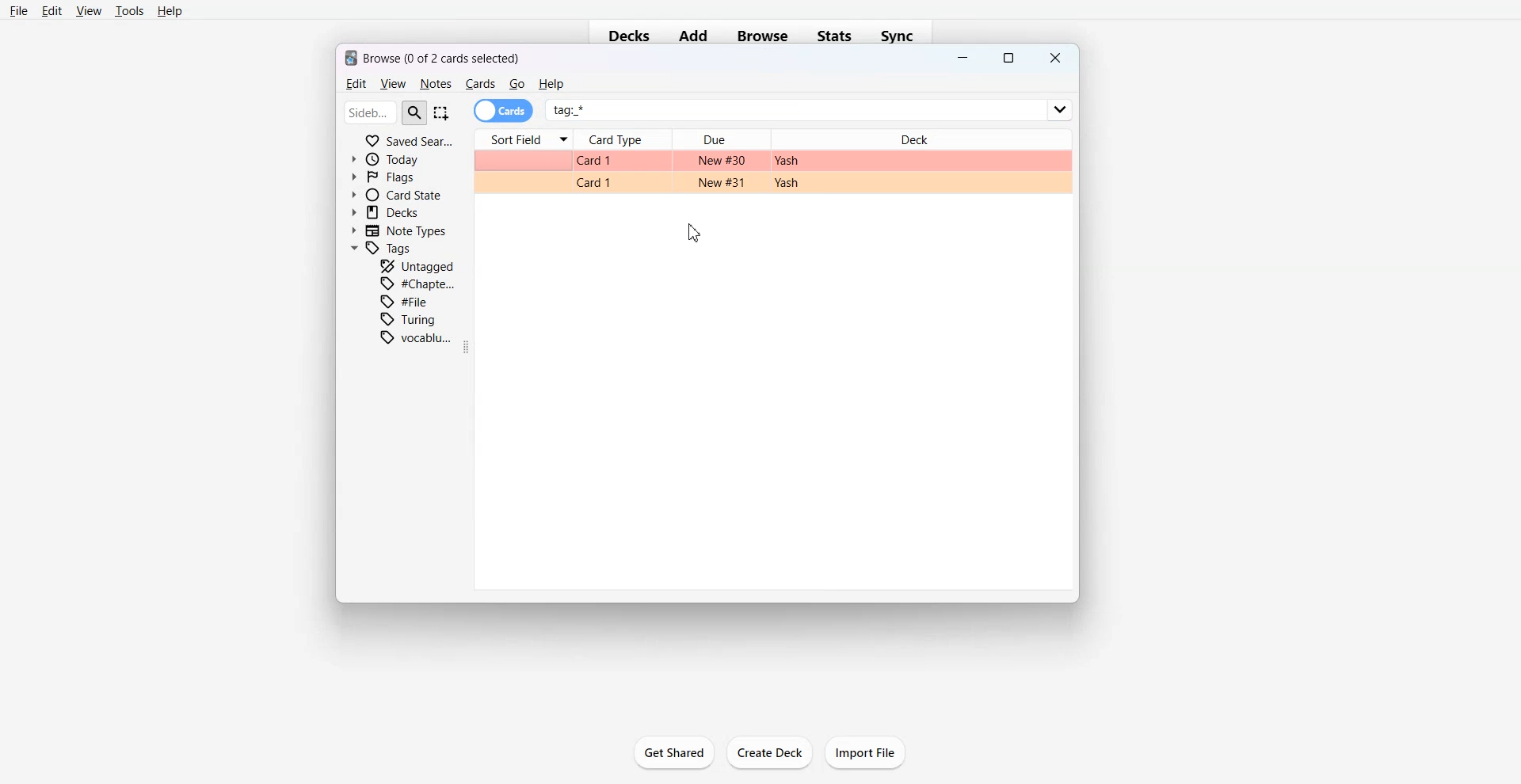  Describe the element at coordinates (416, 337) in the screenshot. I see `Vocabulary` at that location.